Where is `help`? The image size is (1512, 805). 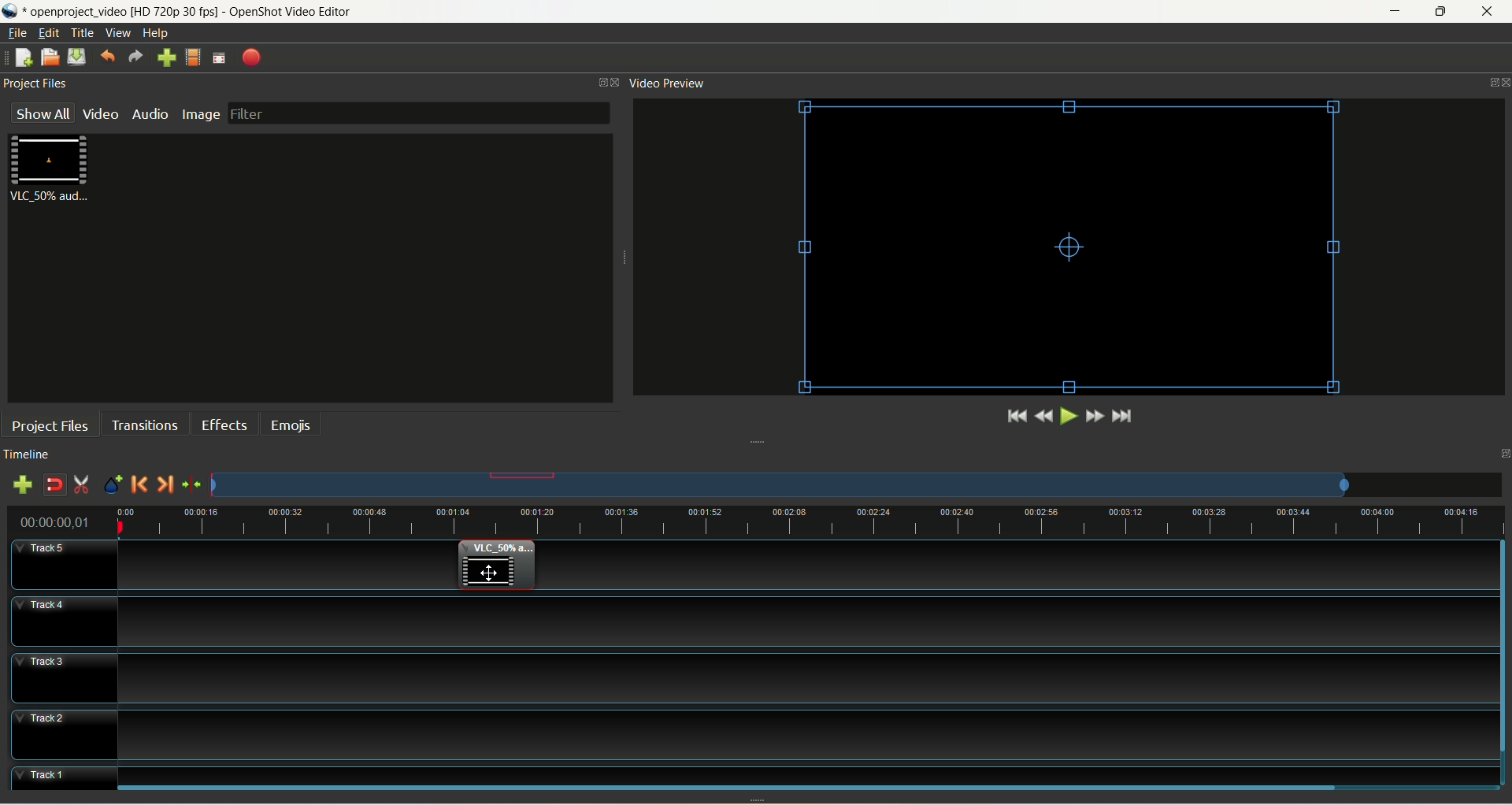 help is located at coordinates (157, 33).